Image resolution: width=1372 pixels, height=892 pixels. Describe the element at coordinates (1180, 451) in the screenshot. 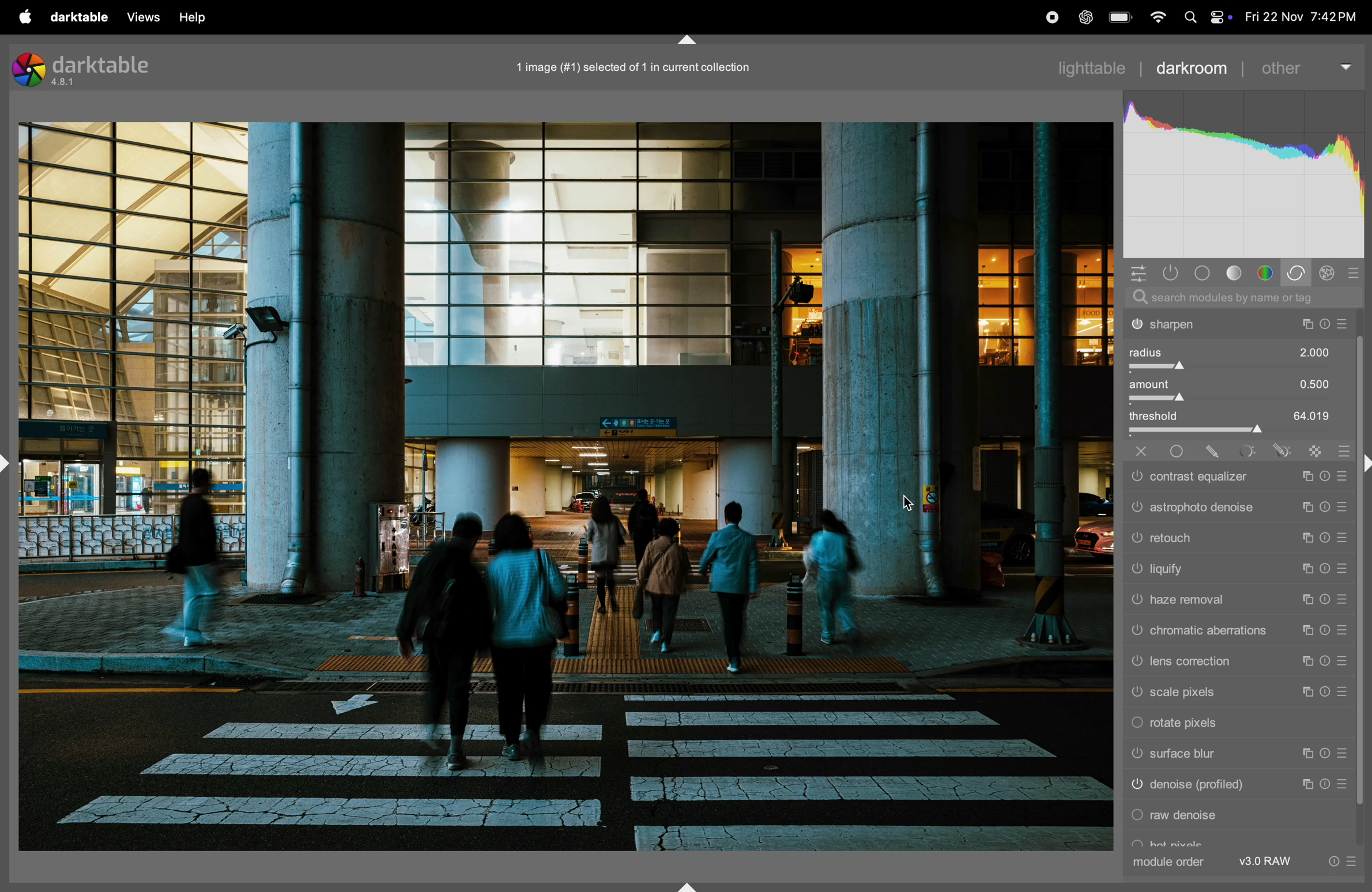

I see `uniformly` at that location.